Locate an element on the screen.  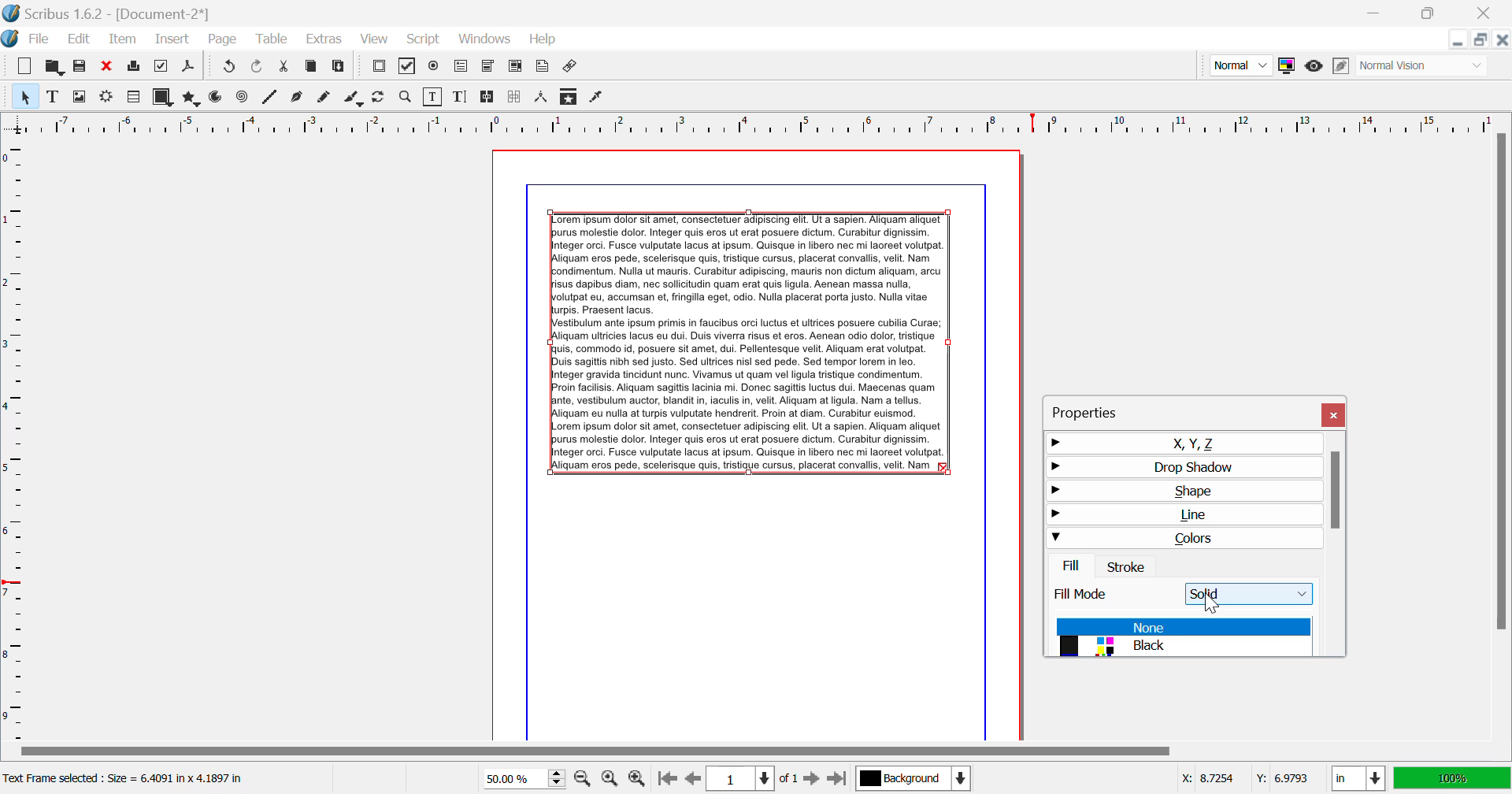
Zoom In is located at coordinates (638, 779).